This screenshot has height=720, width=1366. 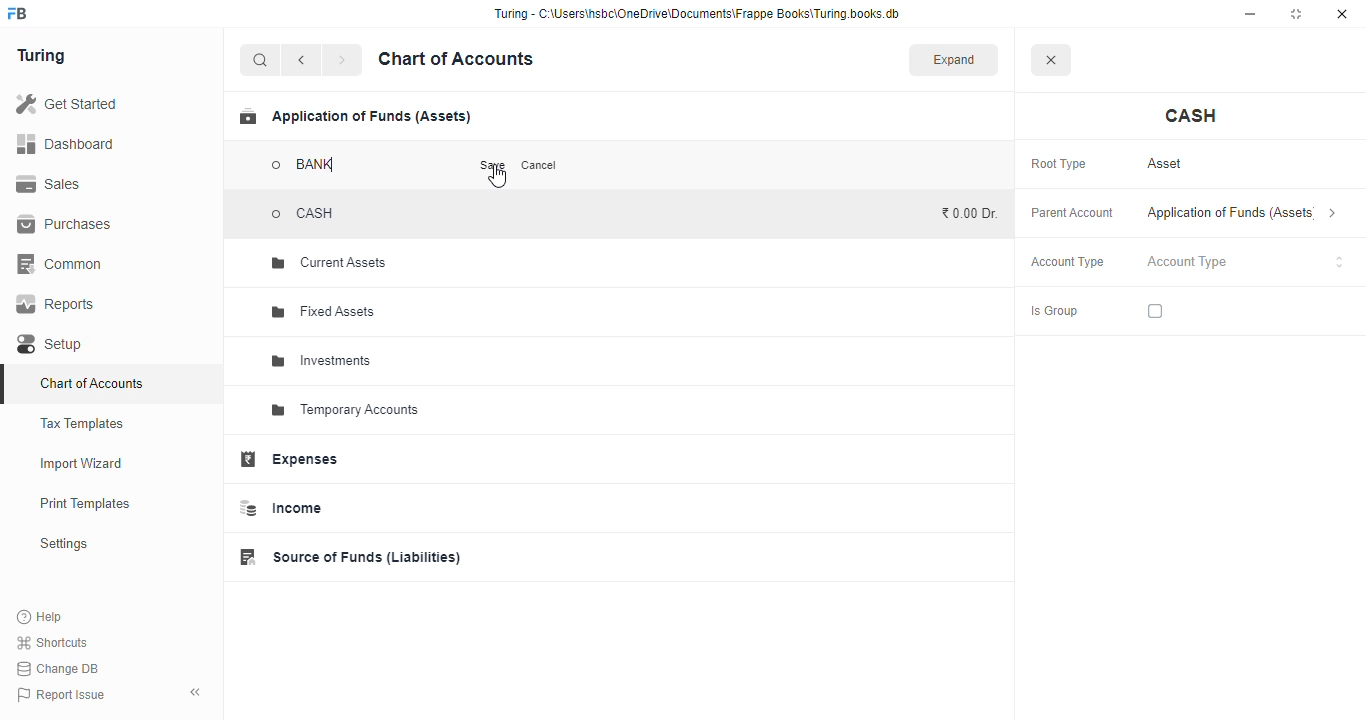 What do you see at coordinates (63, 543) in the screenshot?
I see `settings` at bounding box center [63, 543].